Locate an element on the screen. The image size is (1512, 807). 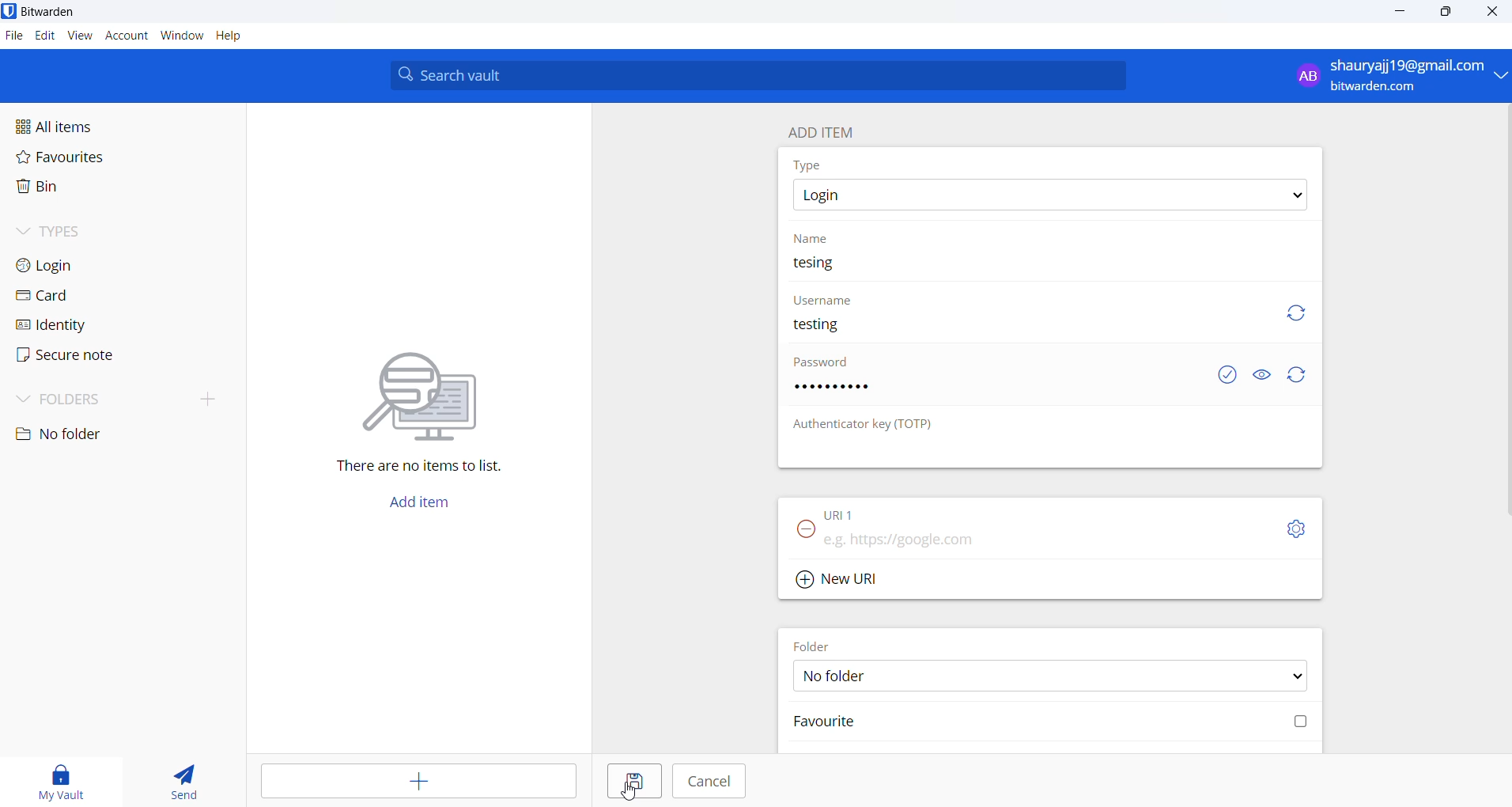
type options is located at coordinates (1054, 196).